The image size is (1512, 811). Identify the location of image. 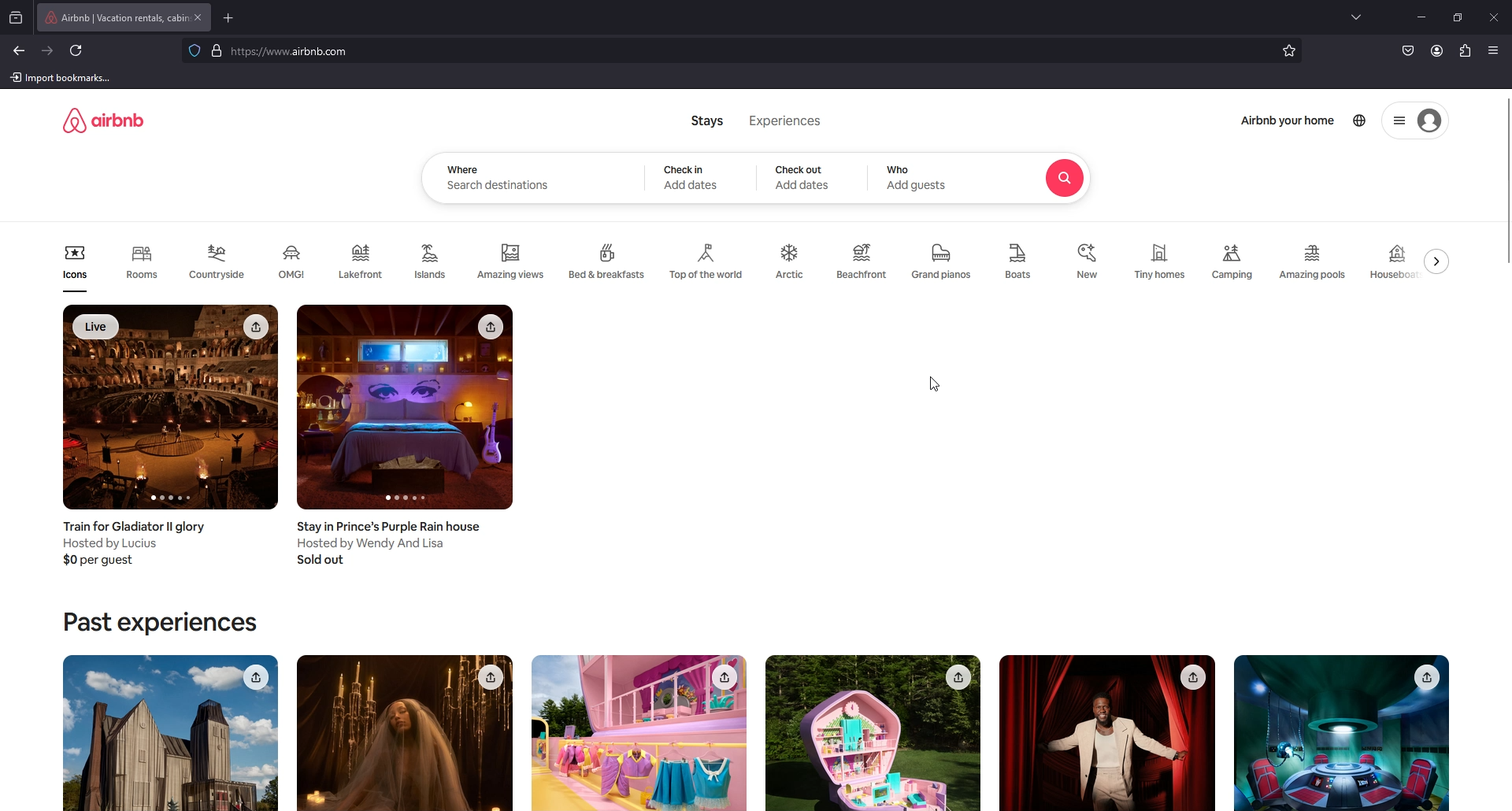
(406, 409).